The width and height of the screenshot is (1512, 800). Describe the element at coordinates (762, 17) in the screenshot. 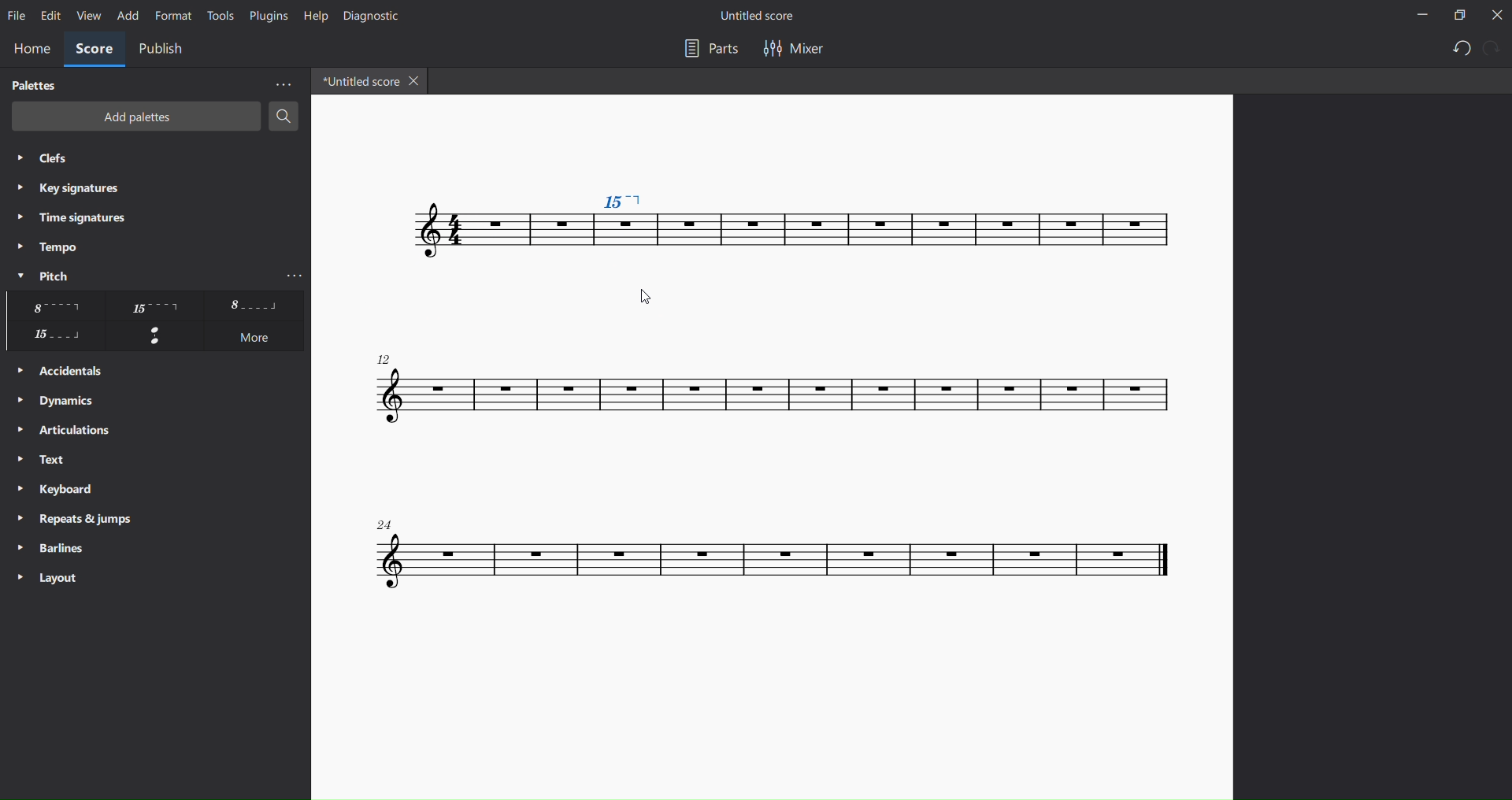

I see `title` at that location.